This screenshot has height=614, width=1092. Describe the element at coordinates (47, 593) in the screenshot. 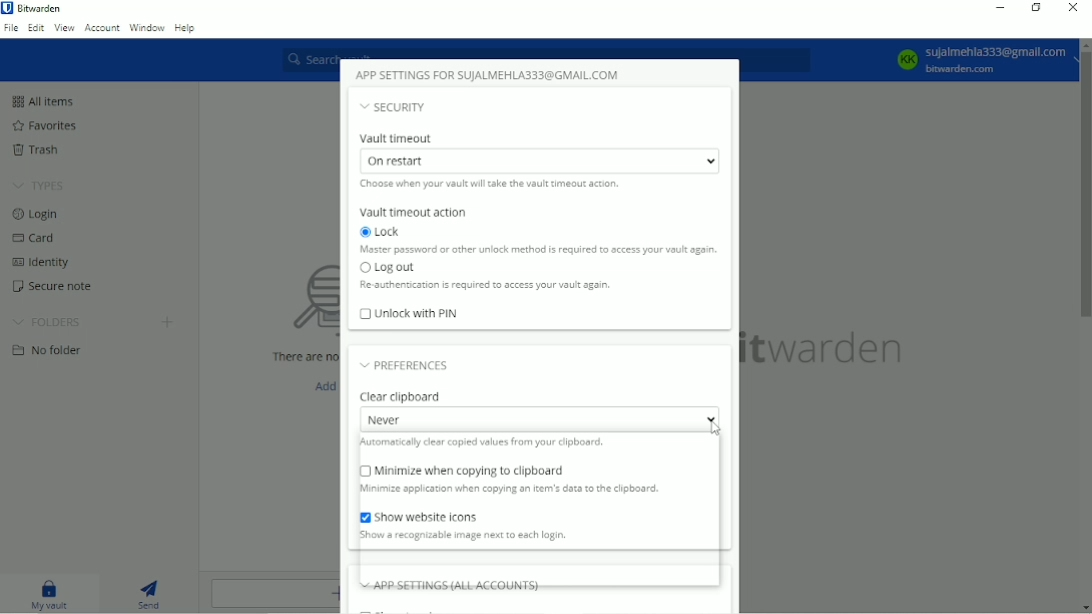

I see `My vault` at that location.